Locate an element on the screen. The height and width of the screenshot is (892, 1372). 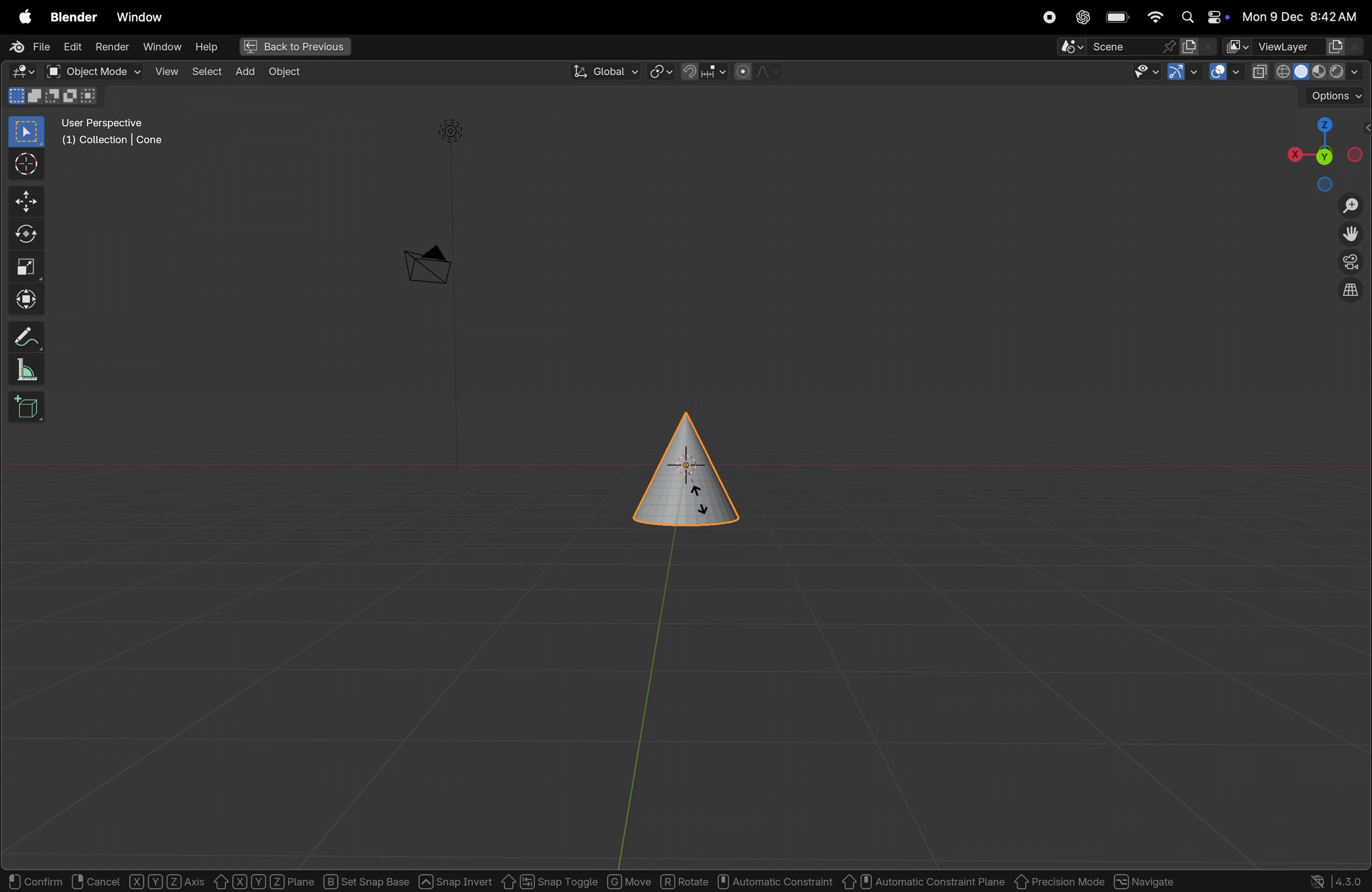
Navigate is located at coordinates (1146, 882).